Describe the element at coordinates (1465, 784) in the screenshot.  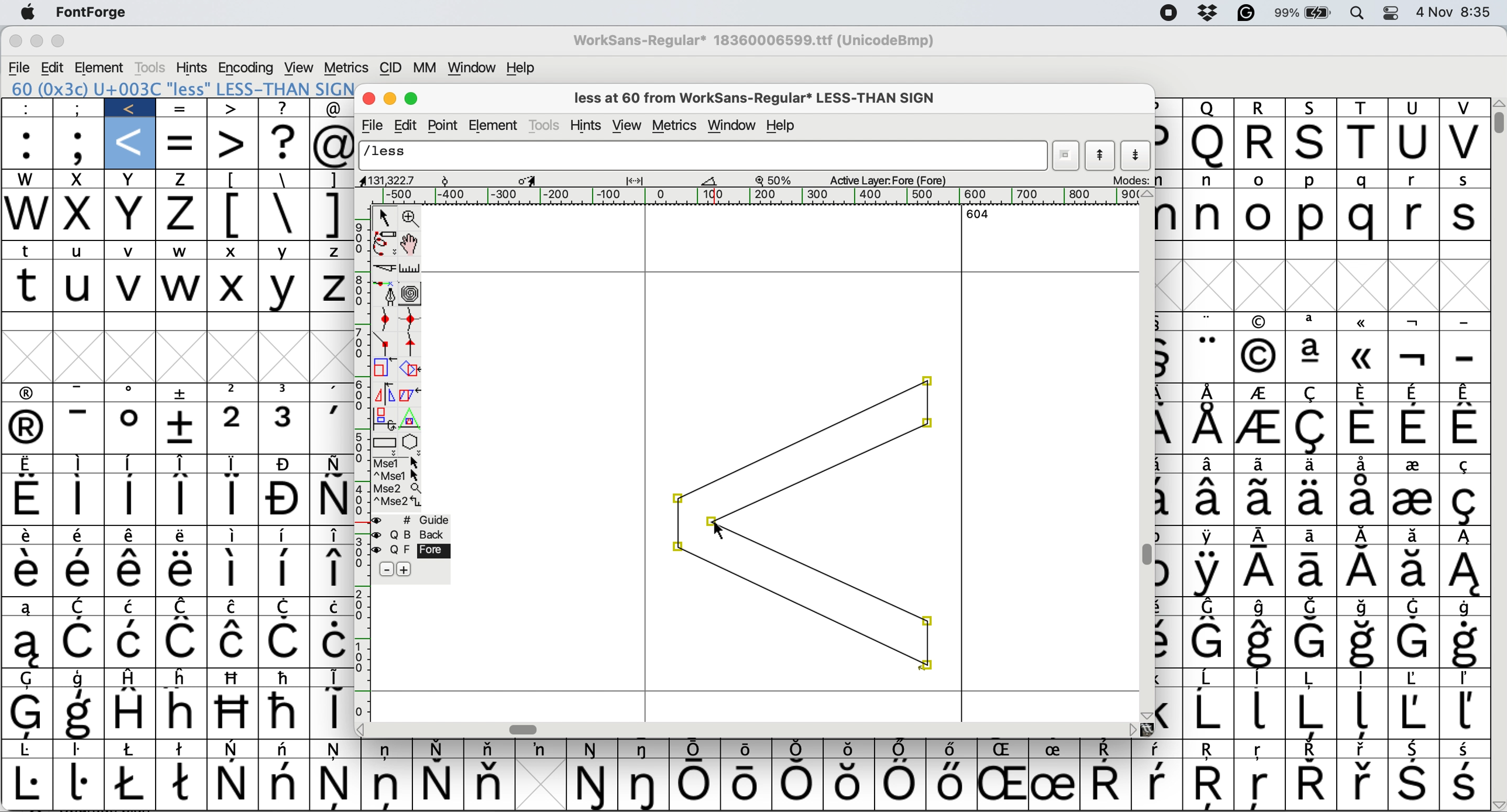
I see `Symbol` at that location.